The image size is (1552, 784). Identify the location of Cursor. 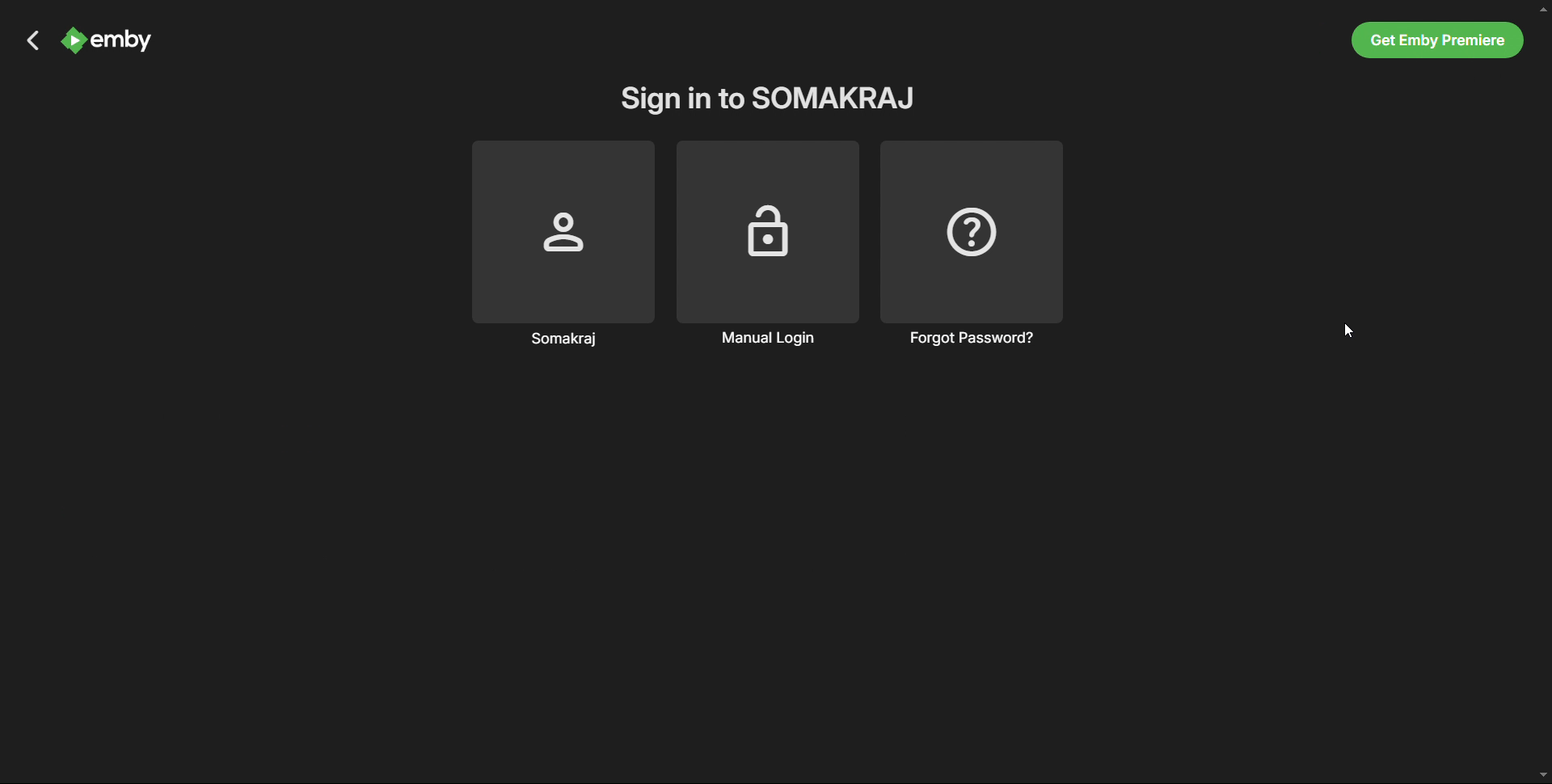
(1349, 330).